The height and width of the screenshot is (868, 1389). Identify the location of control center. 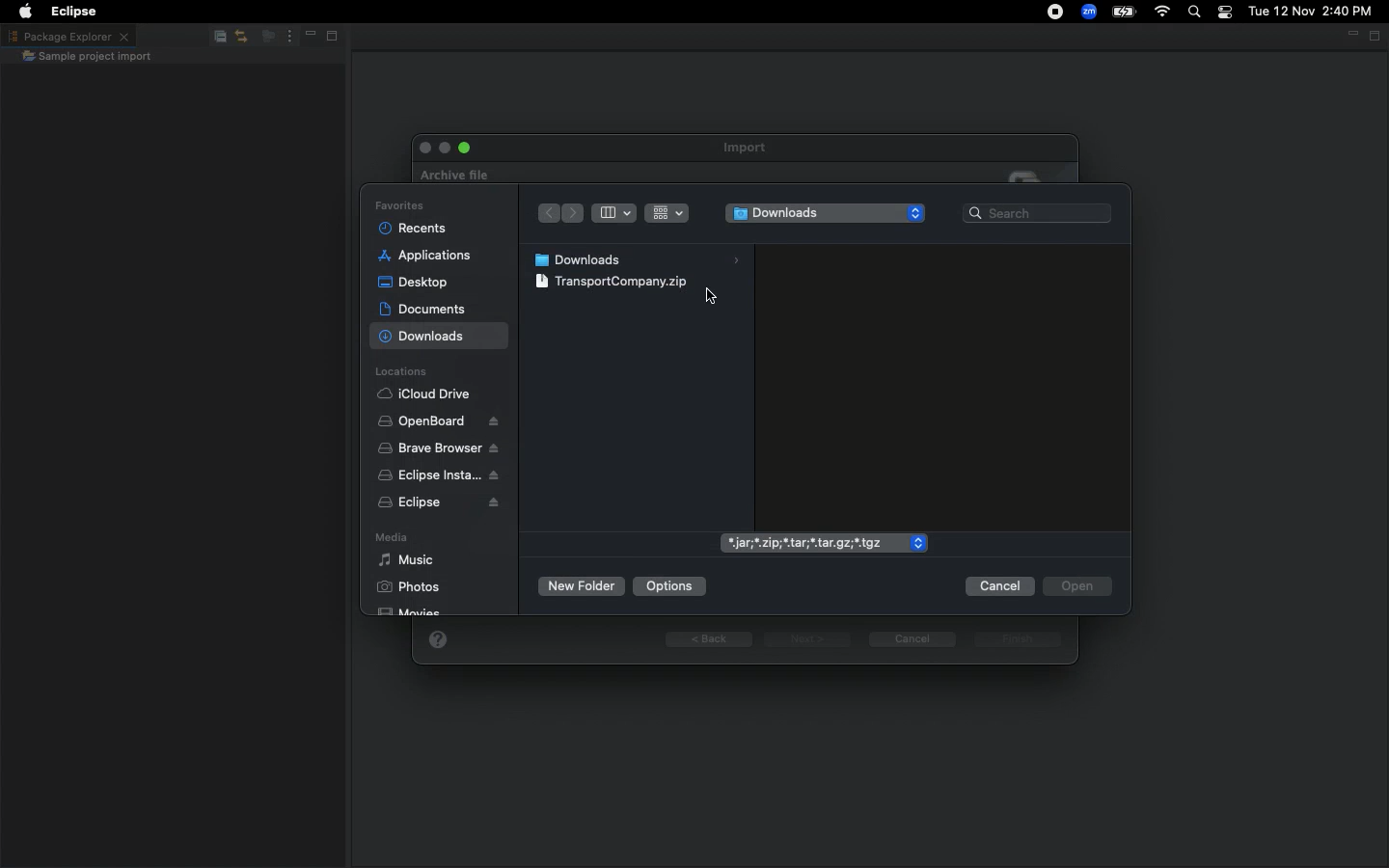
(1223, 13).